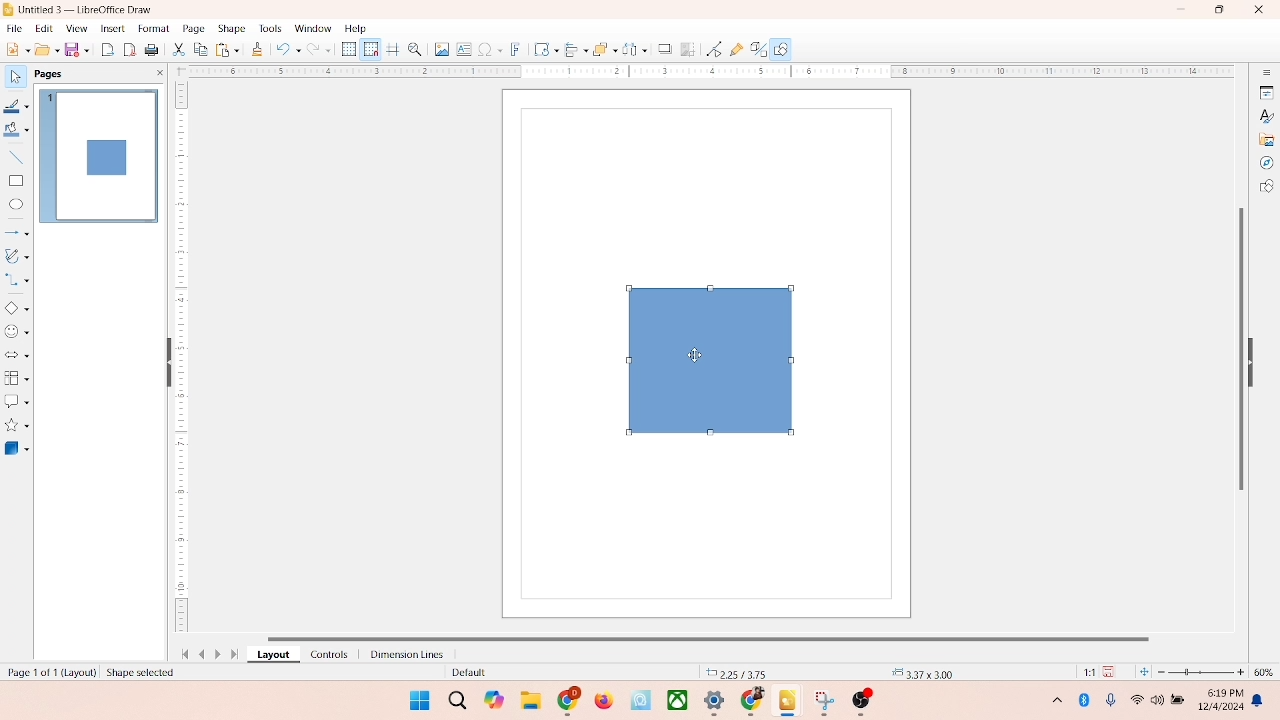  Describe the element at coordinates (181, 360) in the screenshot. I see `scale bar` at that location.